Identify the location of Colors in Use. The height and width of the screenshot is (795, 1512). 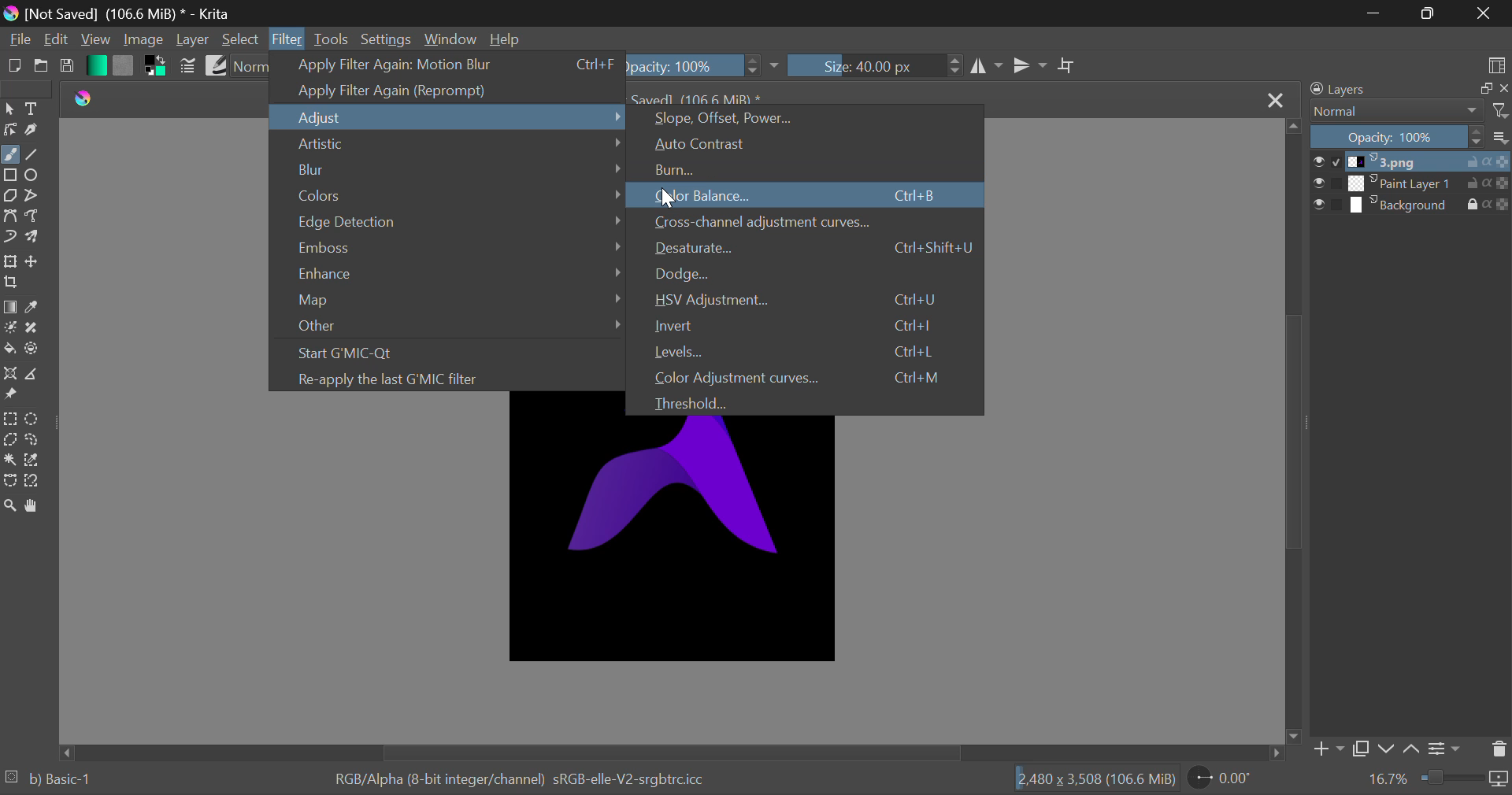
(156, 65).